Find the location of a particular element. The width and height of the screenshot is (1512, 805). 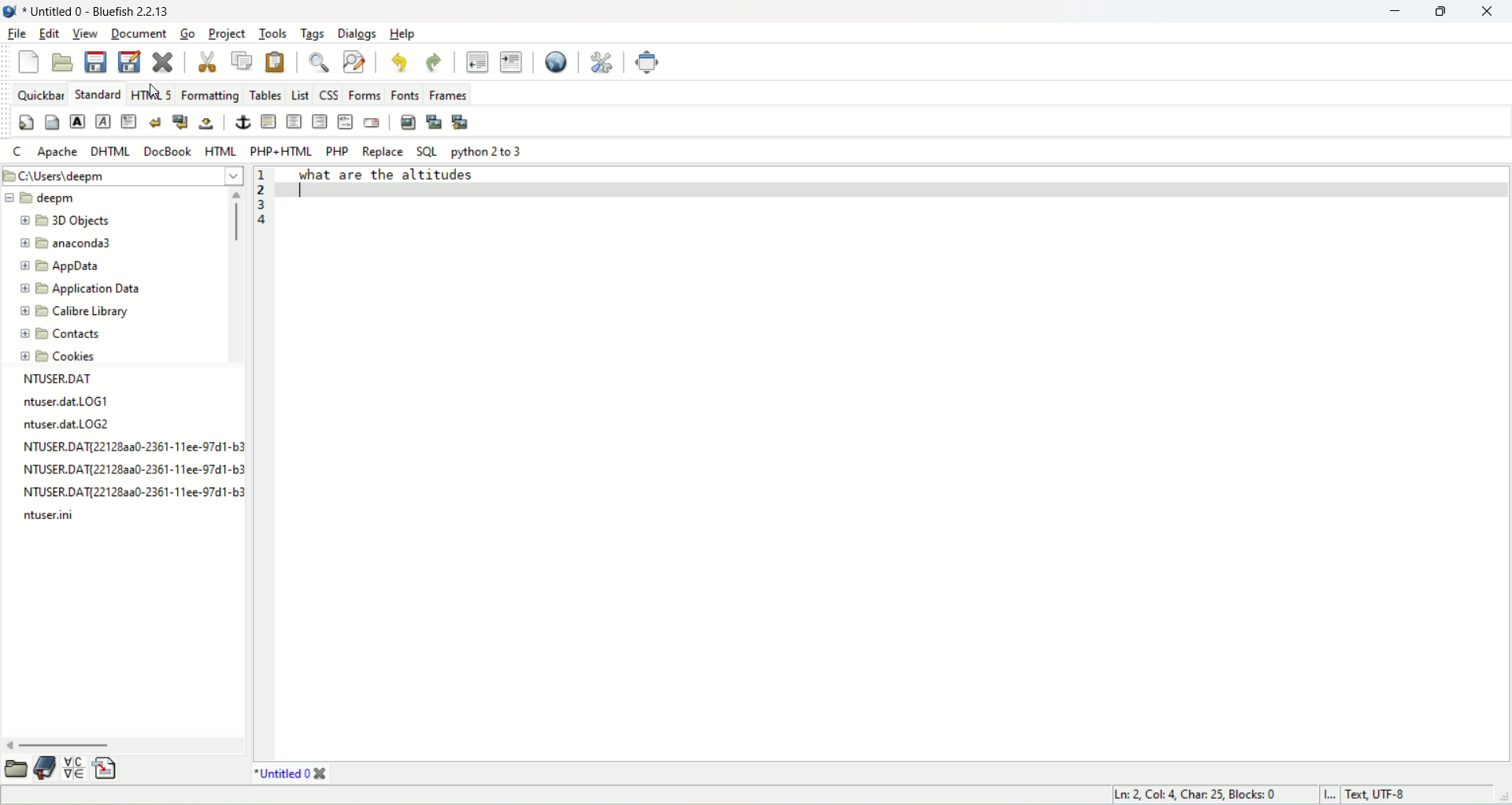

forms is located at coordinates (362, 94).